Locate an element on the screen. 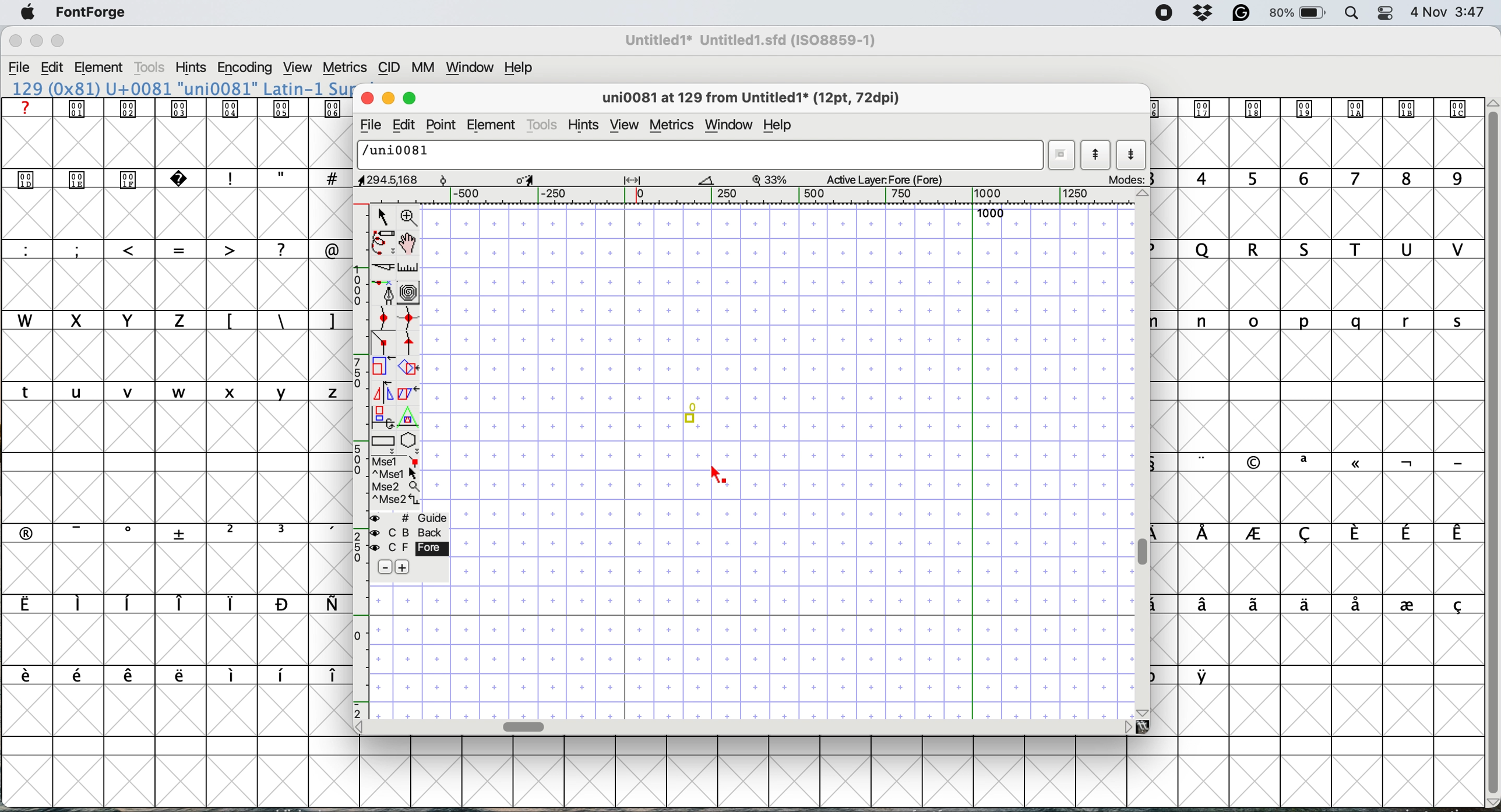 Image resolution: width=1501 pixels, height=812 pixels. cursor is located at coordinates (723, 476).